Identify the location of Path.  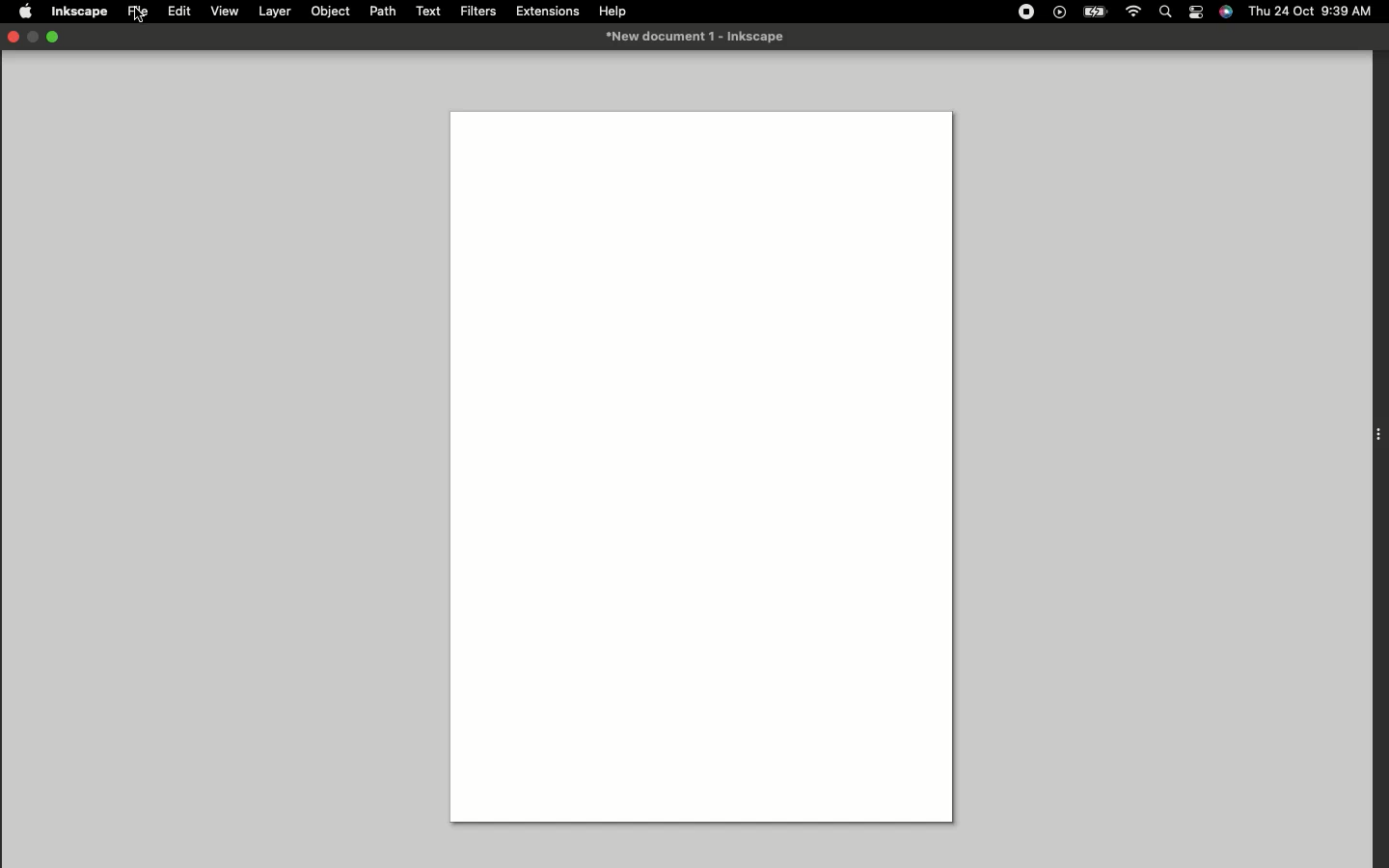
(383, 11).